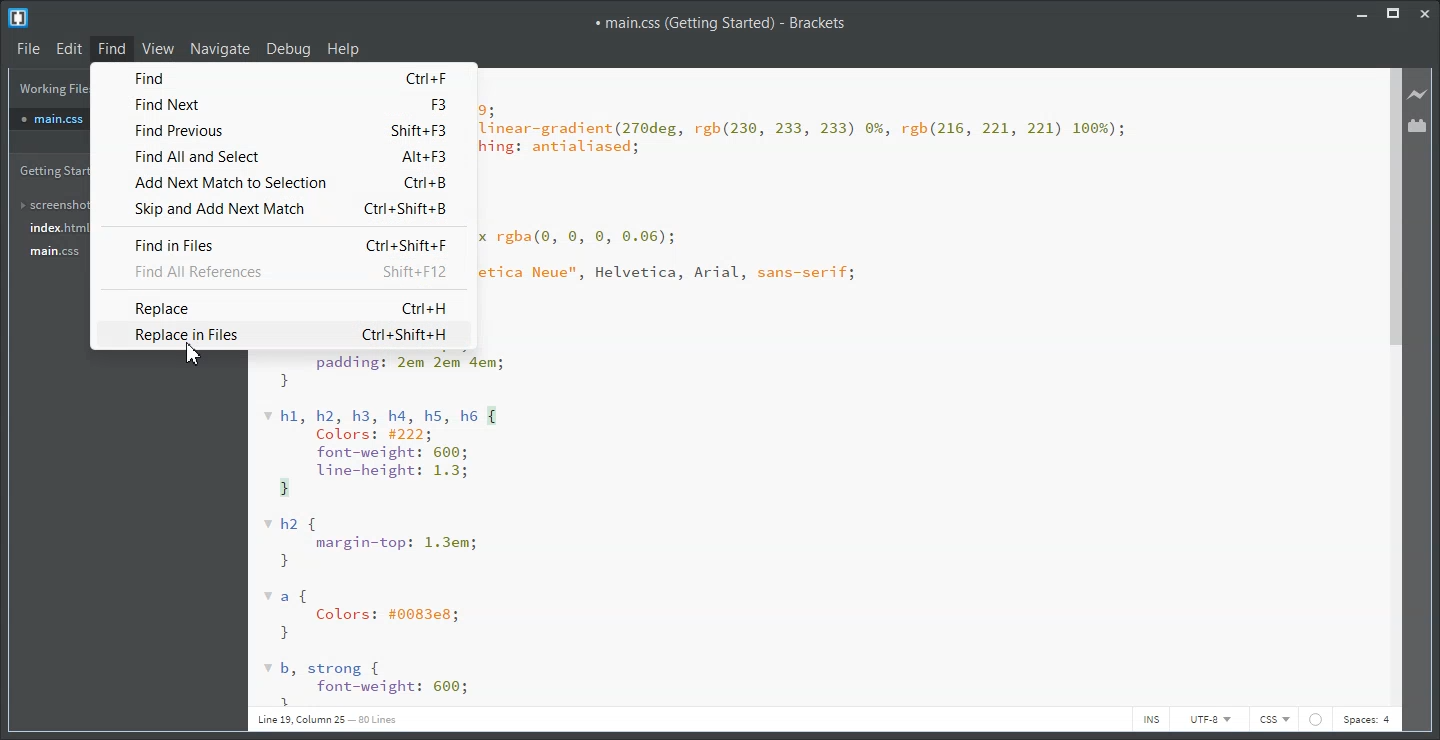  What do you see at coordinates (49, 171) in the screenshot?
I see `Getting Started` at bounding box center [49, 171].